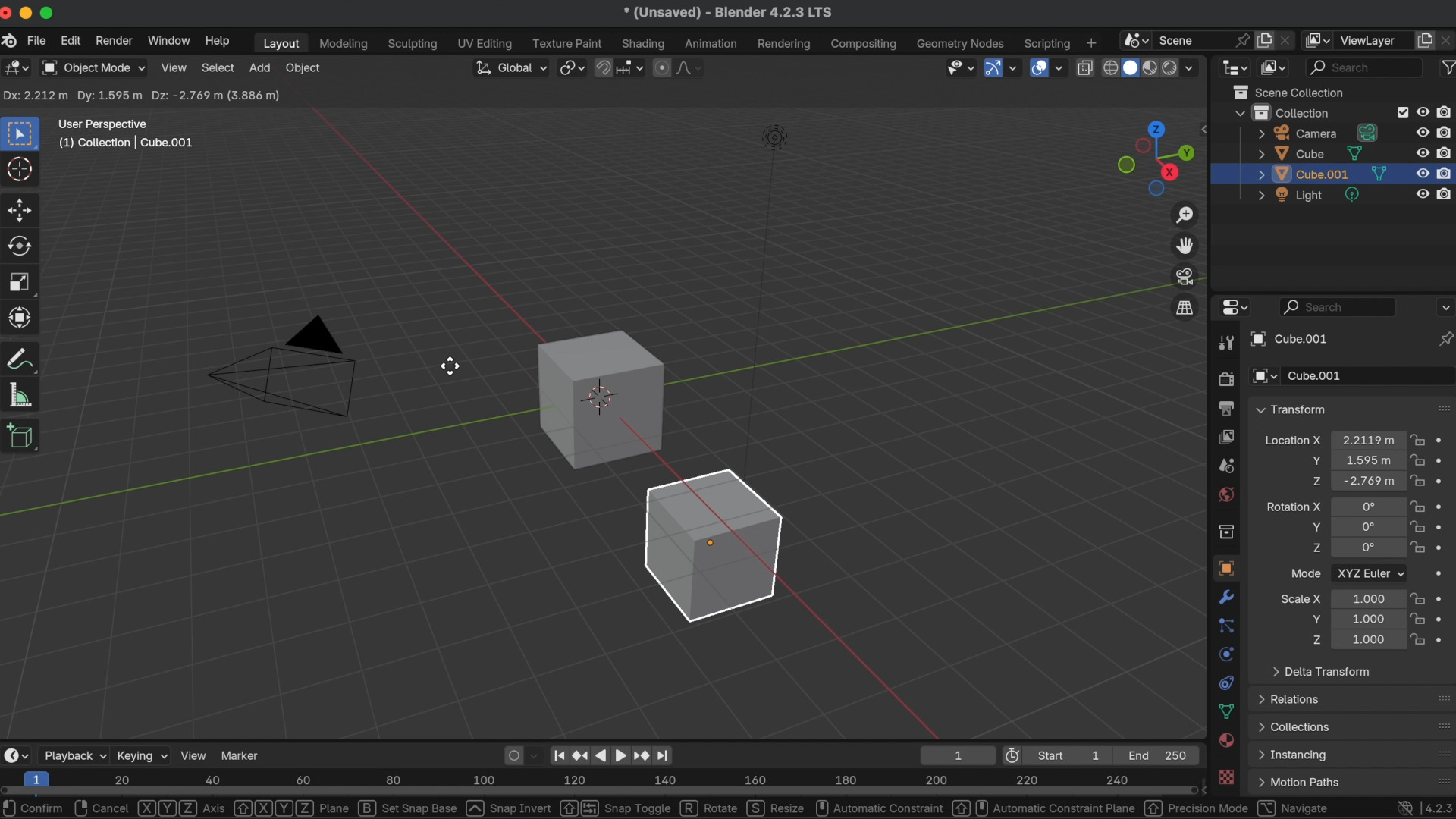 This screenshot has width=1456, height=819. Describe the element at coordinates (1370, 573) in the screenshot. I see `XYZ Euler` at that location.